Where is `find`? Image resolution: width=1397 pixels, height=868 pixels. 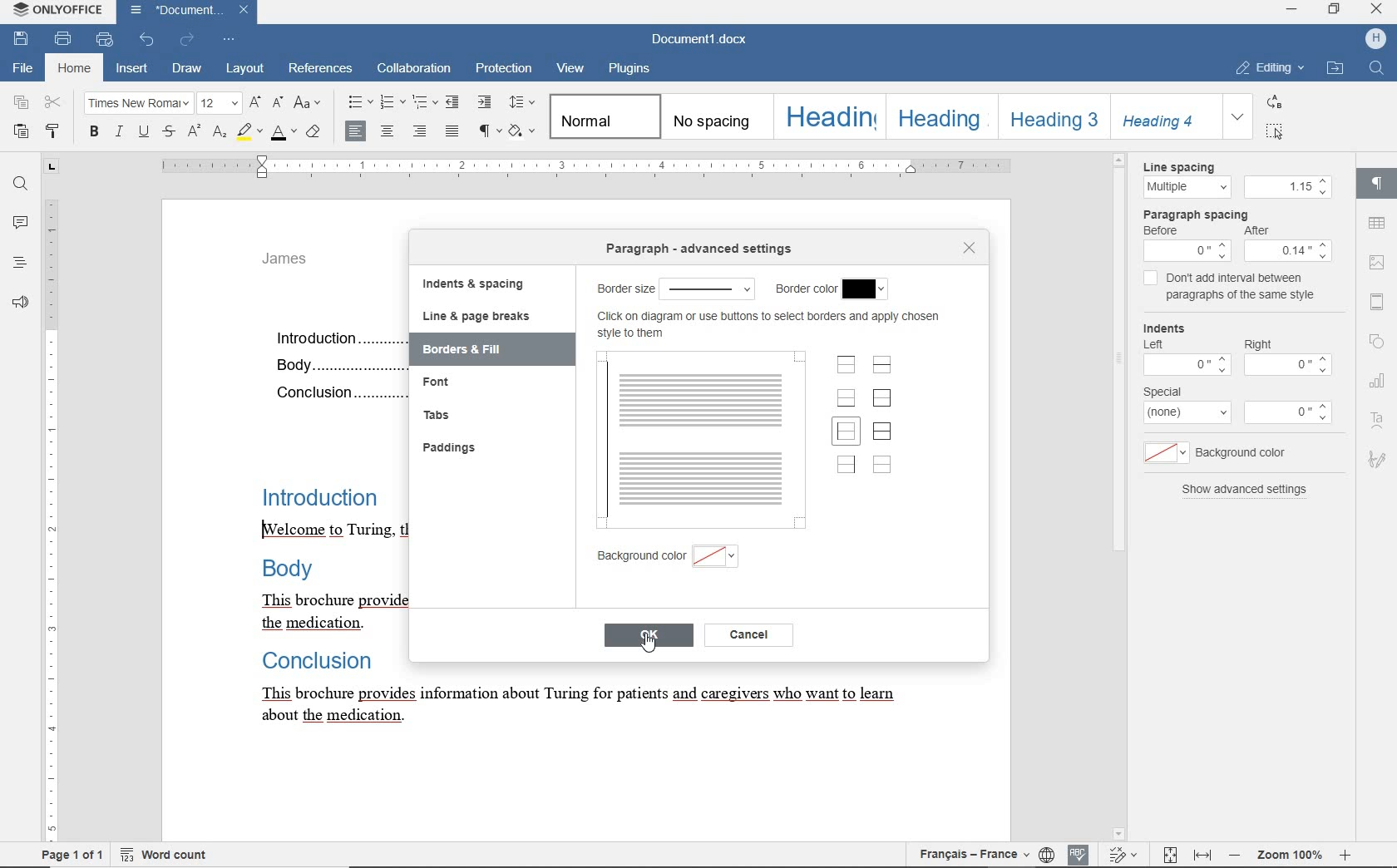
find is located at coordinates (21, 182).